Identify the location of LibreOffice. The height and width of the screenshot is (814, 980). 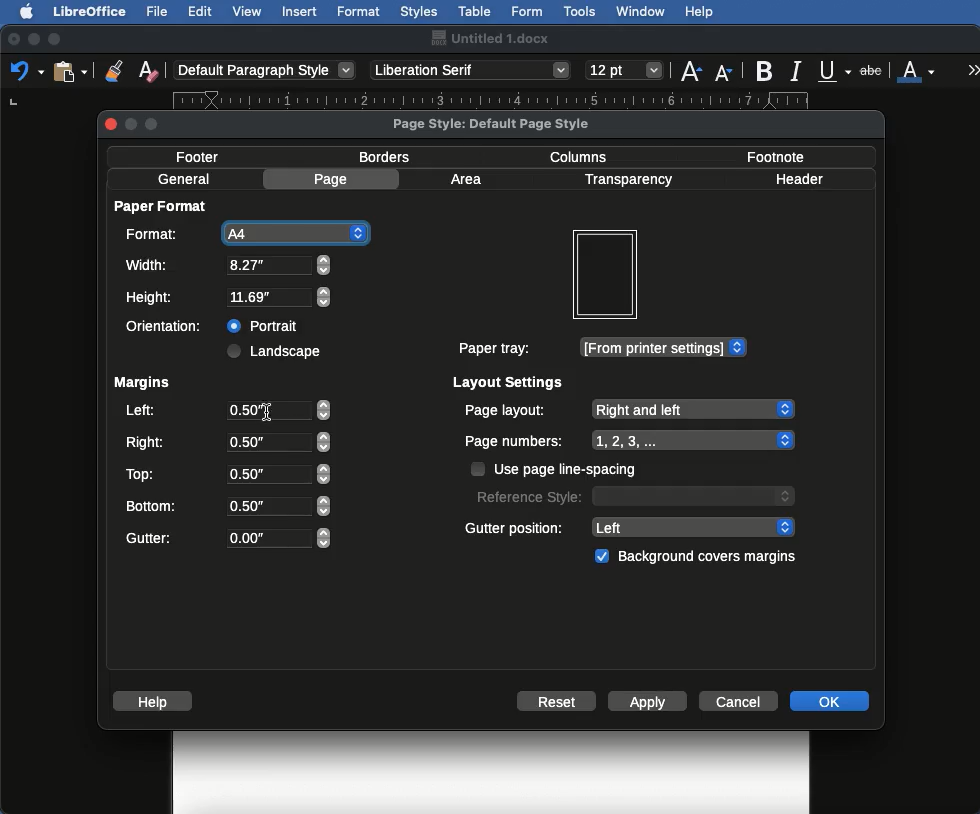
(89, 11).